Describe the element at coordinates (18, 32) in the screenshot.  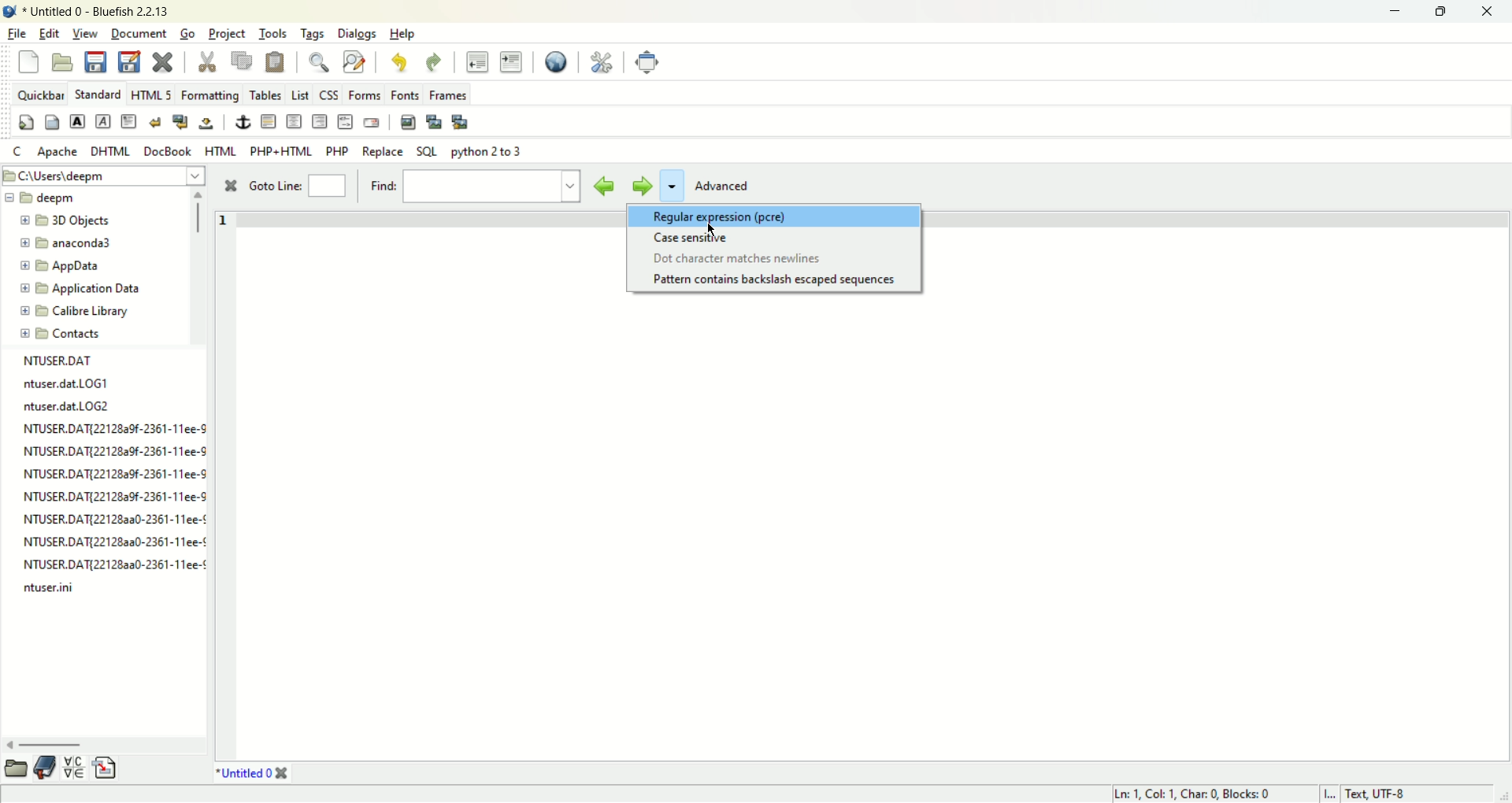
I see `file` at that location.